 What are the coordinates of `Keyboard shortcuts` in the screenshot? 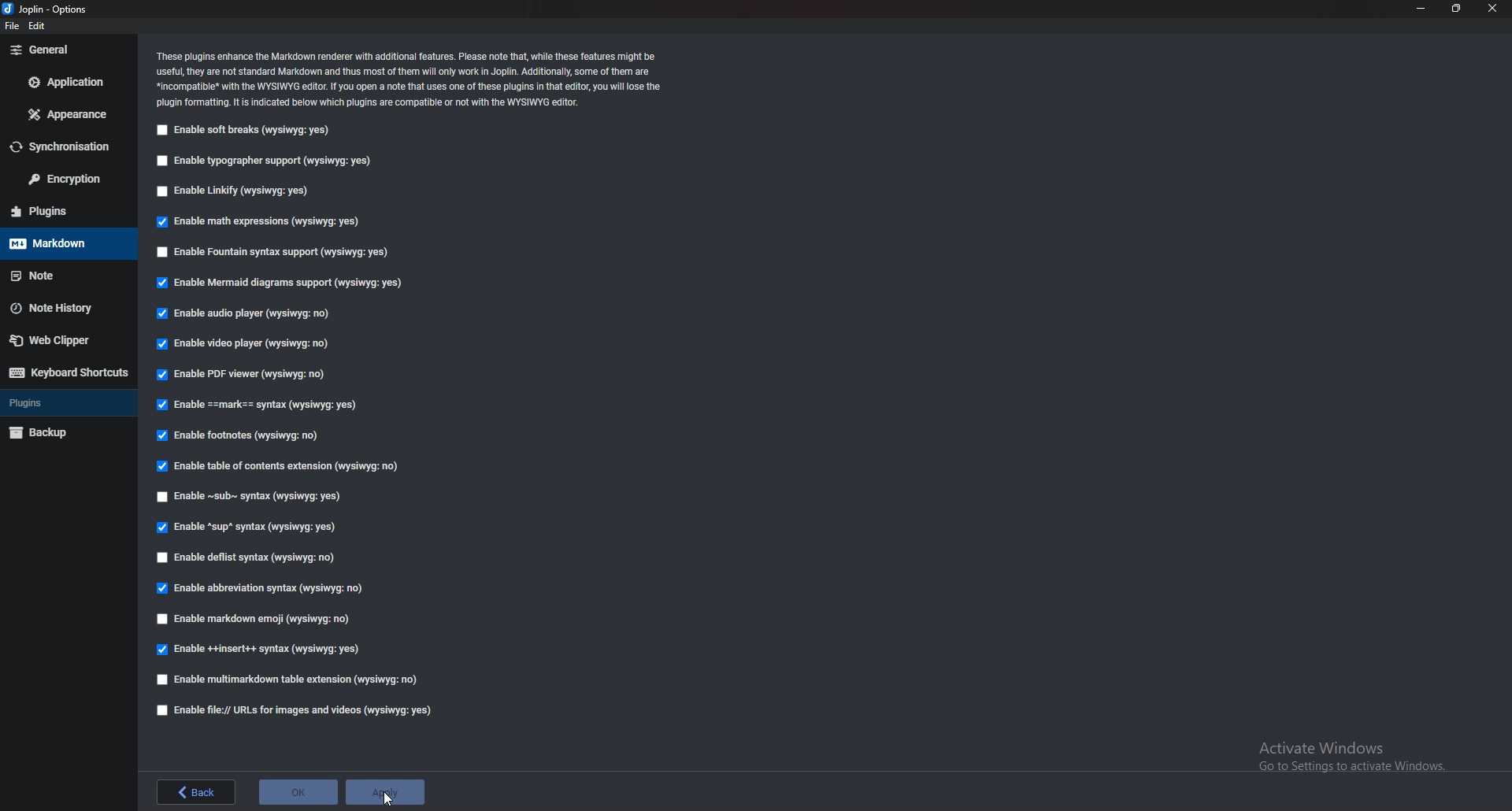 It's located at (68, 372).